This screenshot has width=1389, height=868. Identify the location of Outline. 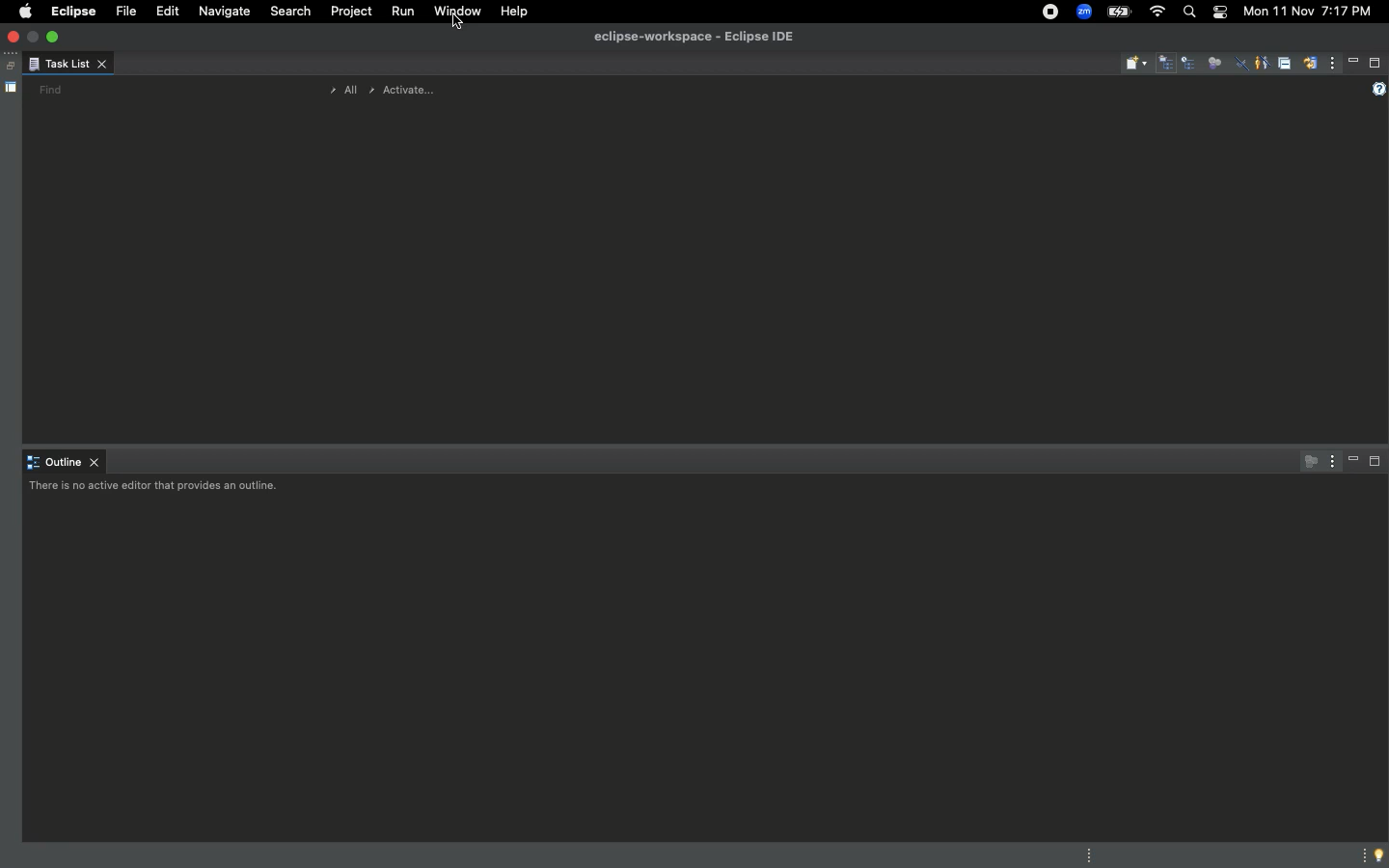
(65, 463).